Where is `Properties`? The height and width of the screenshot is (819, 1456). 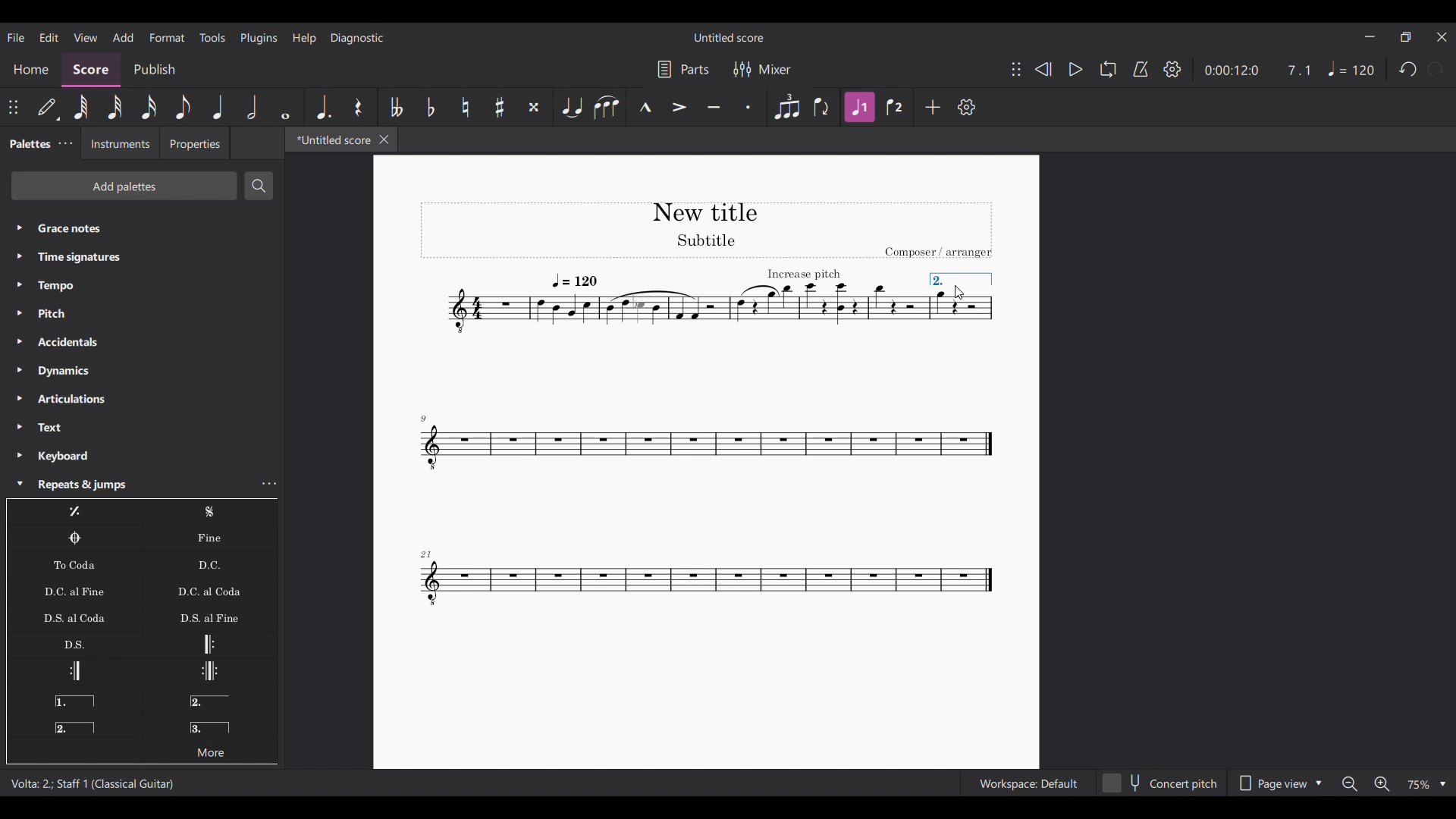
Properties is located at coordinates (194, 143).